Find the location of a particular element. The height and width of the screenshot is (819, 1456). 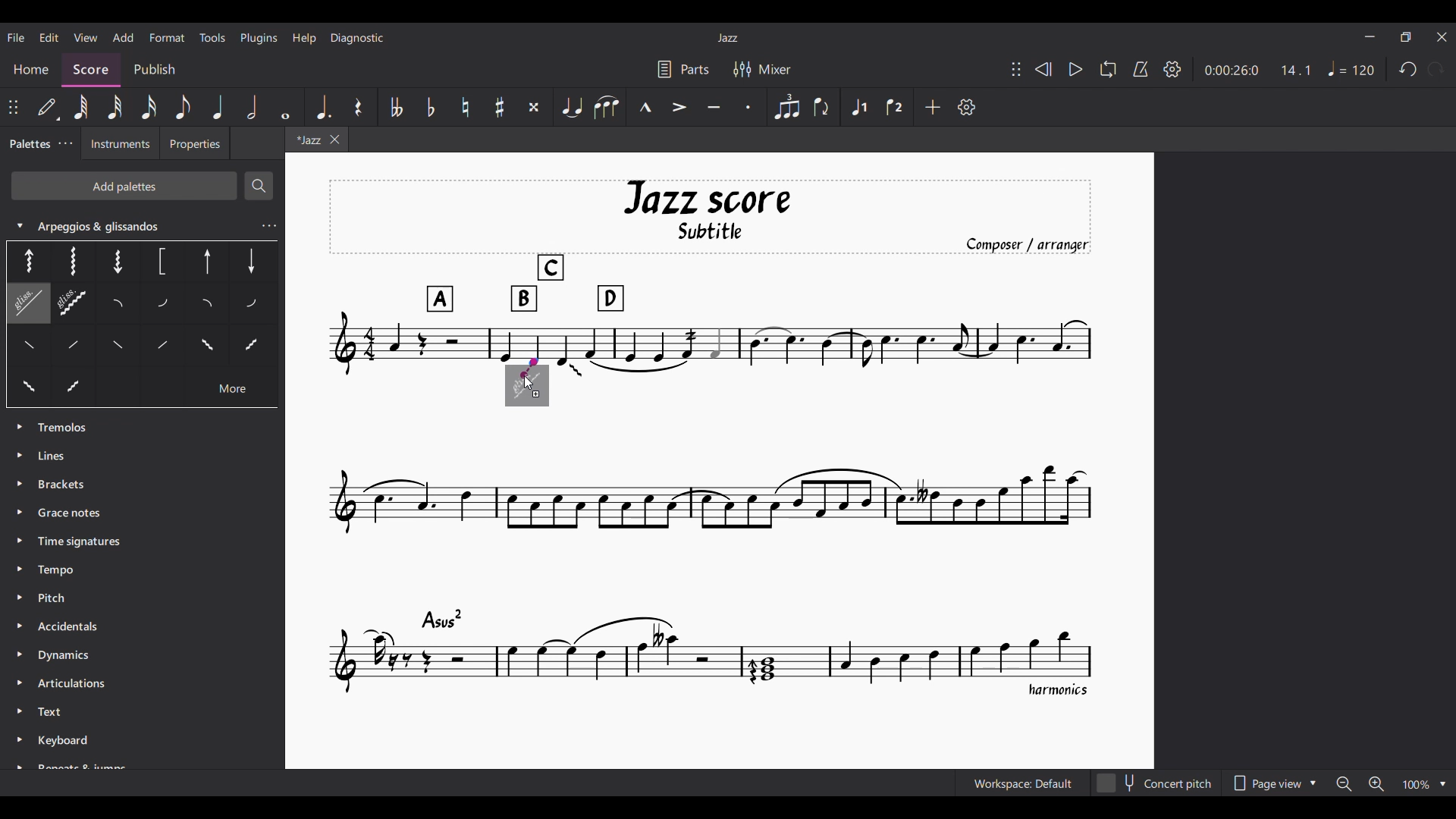

File menu is located at coordinates (16, 37).